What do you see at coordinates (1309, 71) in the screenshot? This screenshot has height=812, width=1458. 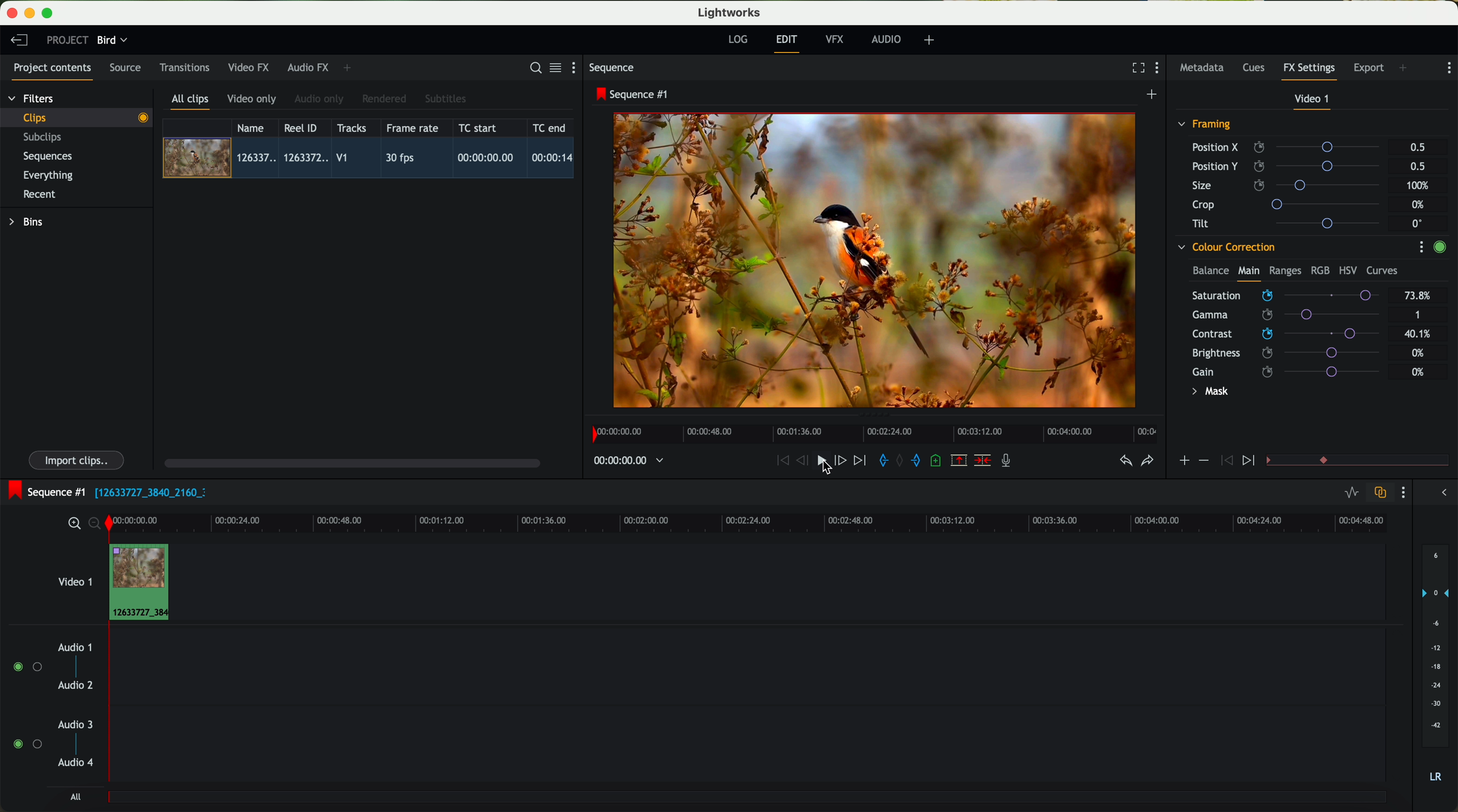 I see `fx settings` at bounding box center [1309, 71].